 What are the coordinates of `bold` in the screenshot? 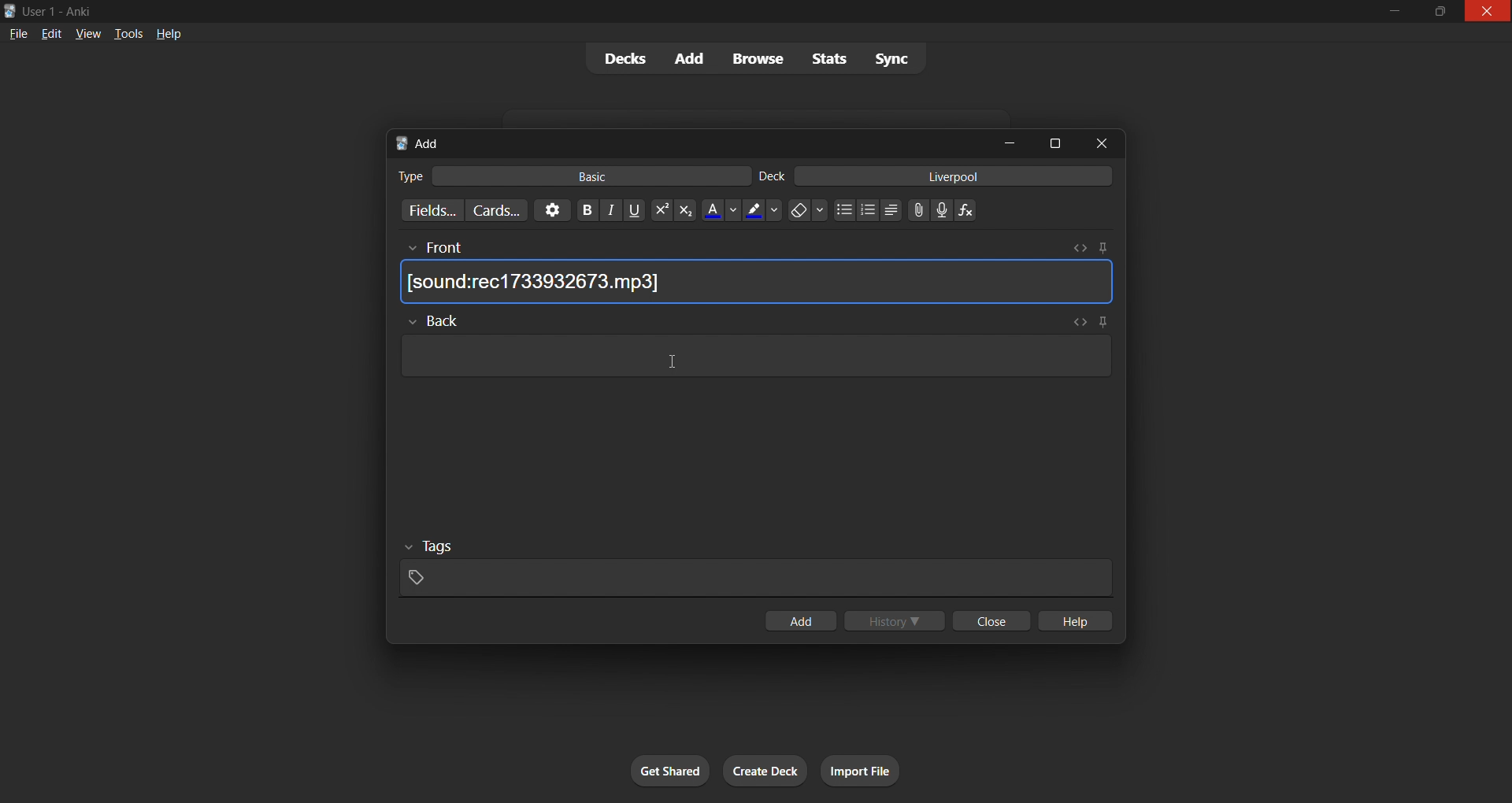 It's located at (581, 210).